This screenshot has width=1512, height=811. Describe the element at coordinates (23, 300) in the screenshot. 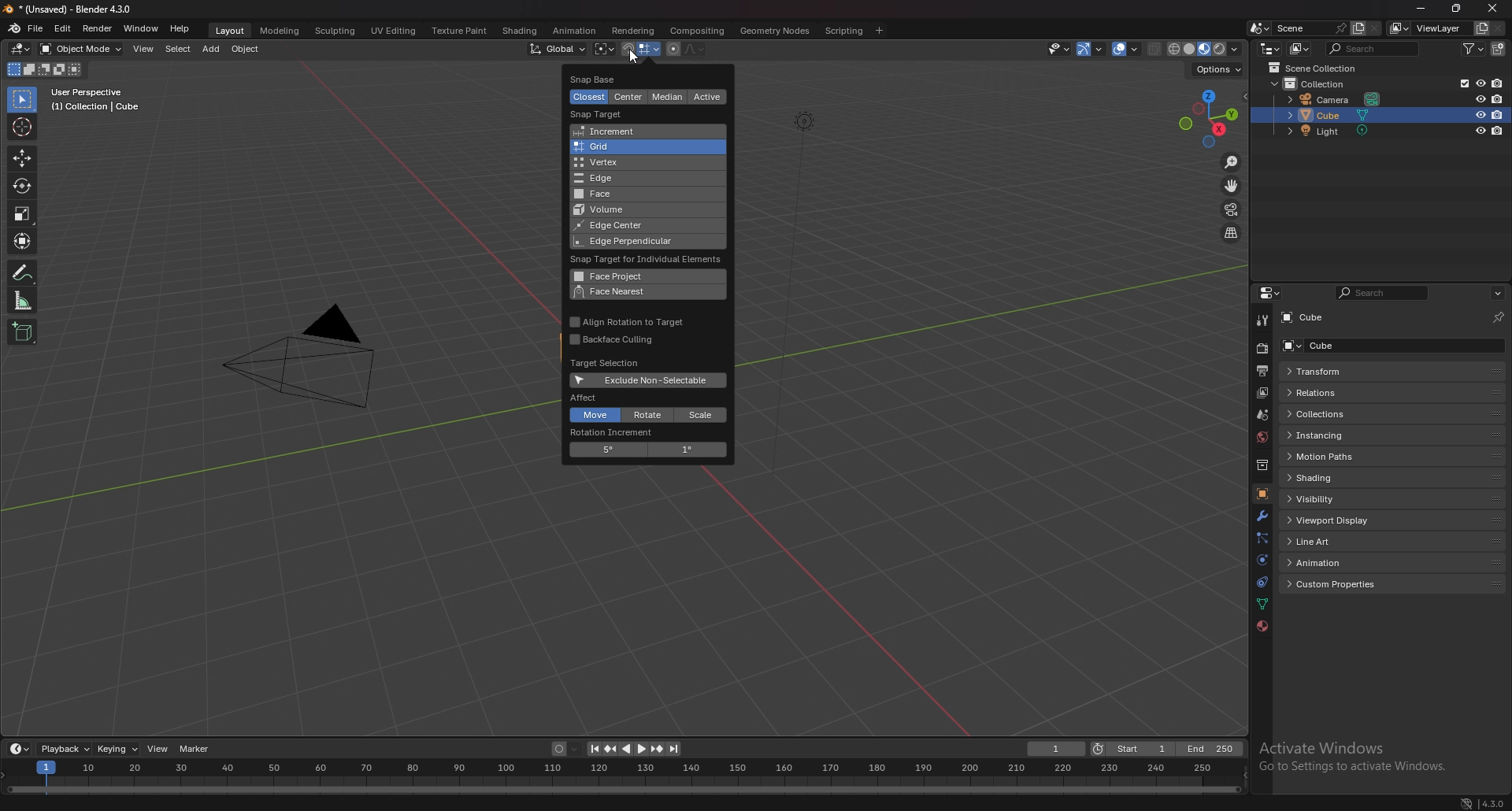

I see `measure` at that location.